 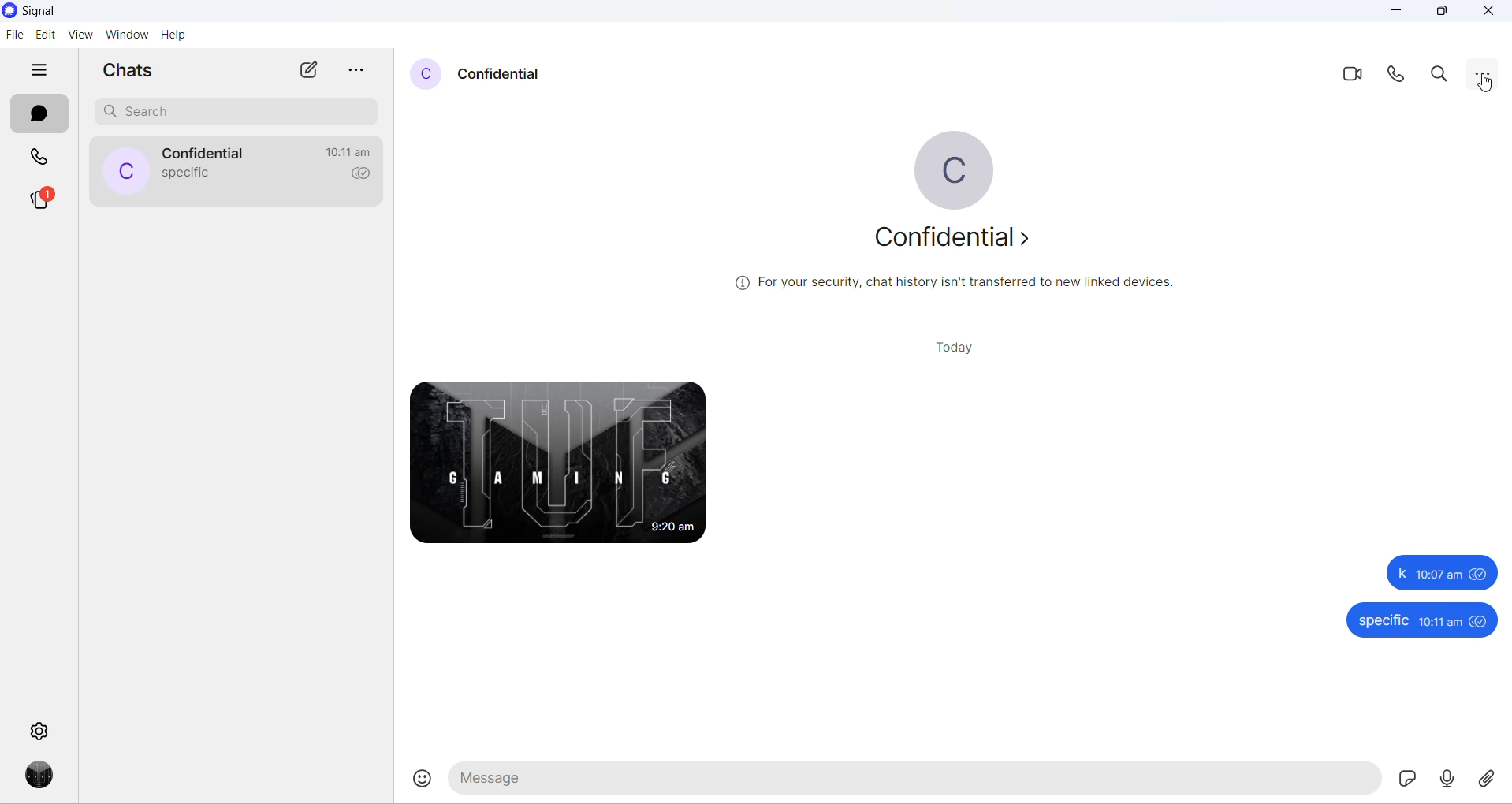 What do you see at coordinates (47, 12) in the screenshot?
I see `application name and logo` at bounding box center [47, 12].